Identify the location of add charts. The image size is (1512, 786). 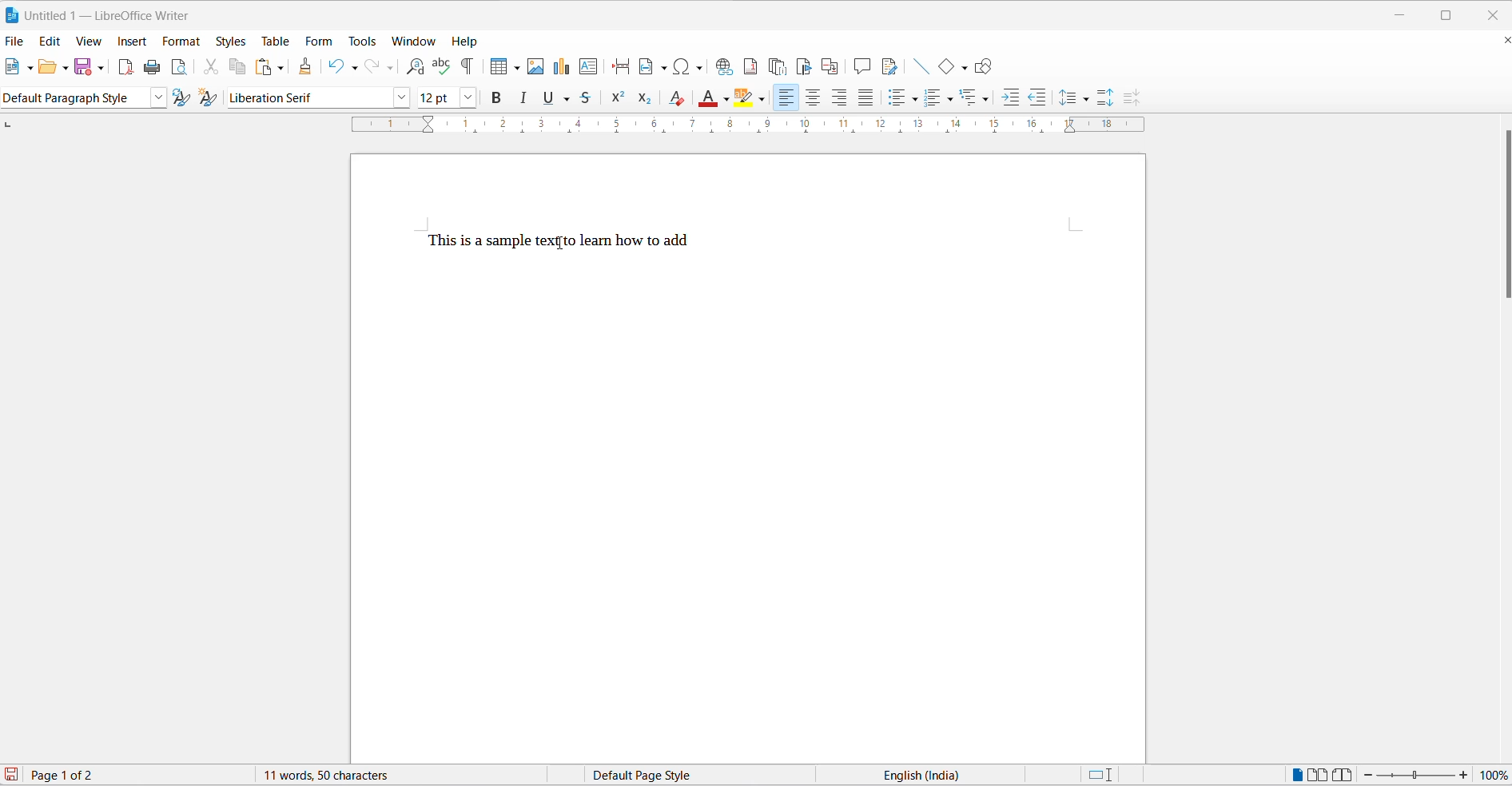
(561, 69).